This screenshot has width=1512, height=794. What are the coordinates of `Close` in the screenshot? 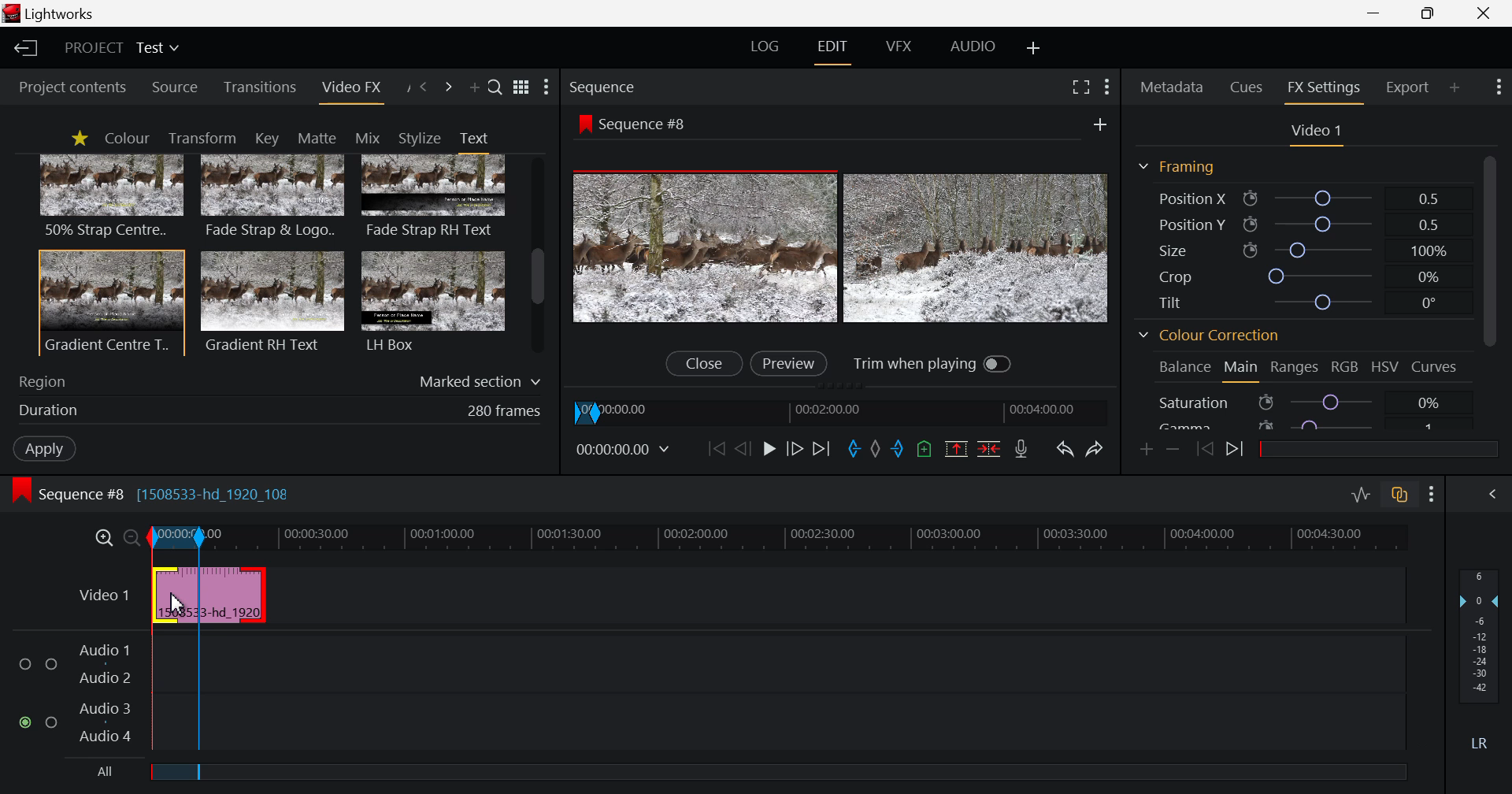 It's located at (1485, 13).